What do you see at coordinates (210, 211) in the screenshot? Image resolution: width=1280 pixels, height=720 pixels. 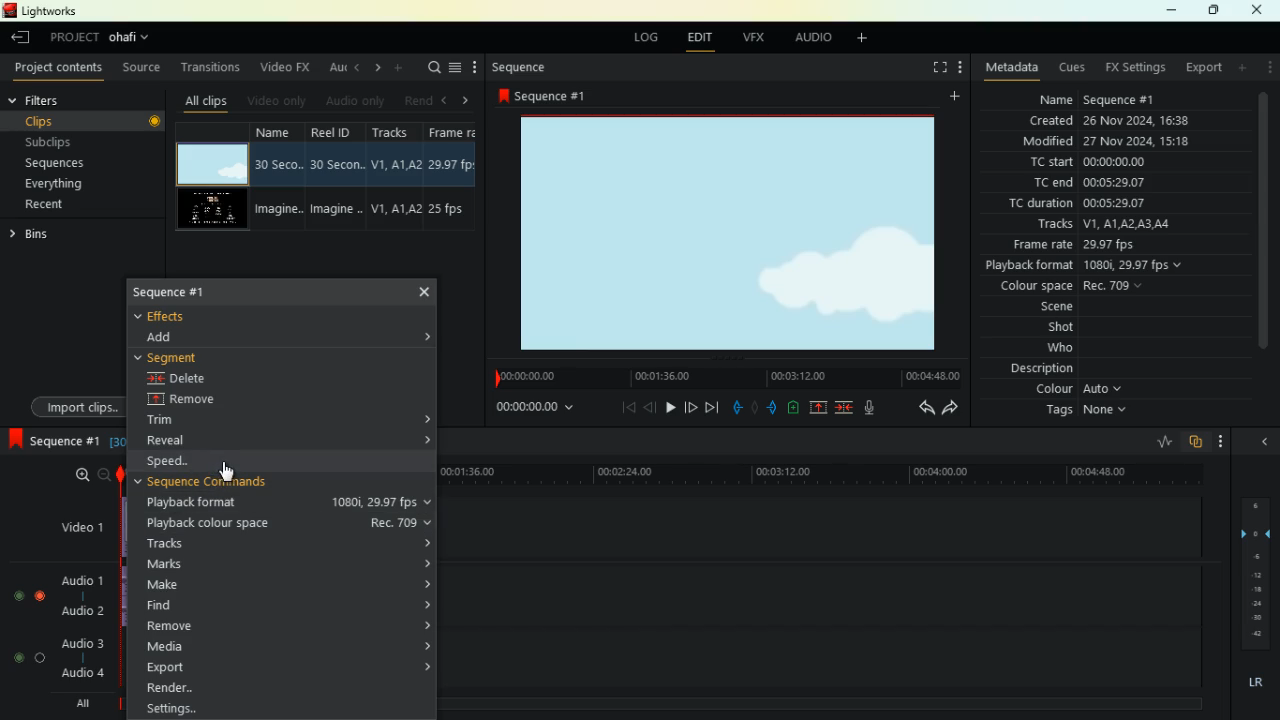 I see `video` at bounding box center [210, 211].